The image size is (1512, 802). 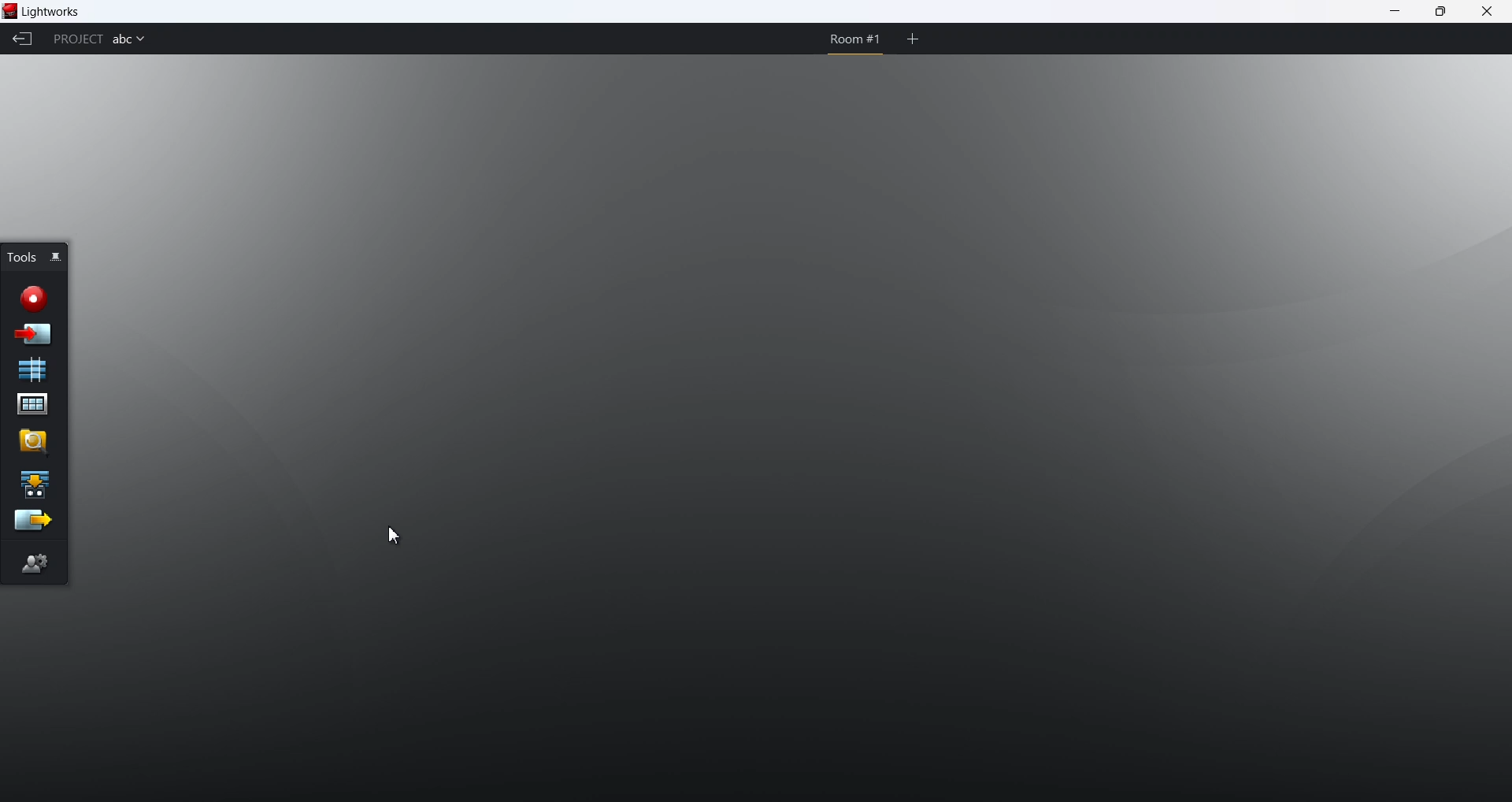 I want to click on new sequence, so click(x=34, y=369).